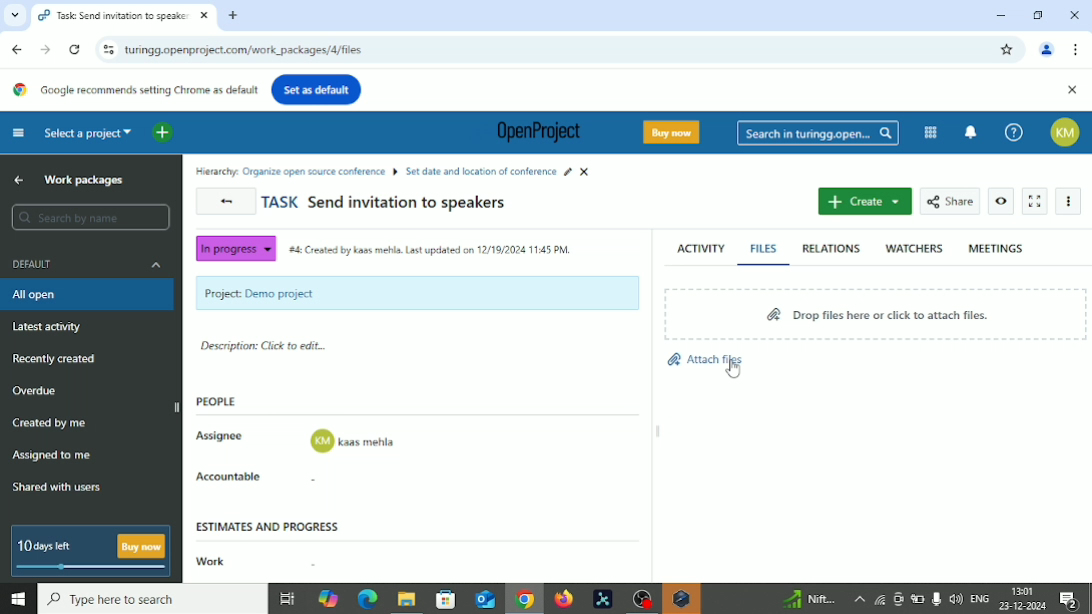 The width and height of the screenshot is (1092, 614). What do you see at coordinates (55, 360) in the screenshot?
I see `Recently created` at bounding box center [55, 360].